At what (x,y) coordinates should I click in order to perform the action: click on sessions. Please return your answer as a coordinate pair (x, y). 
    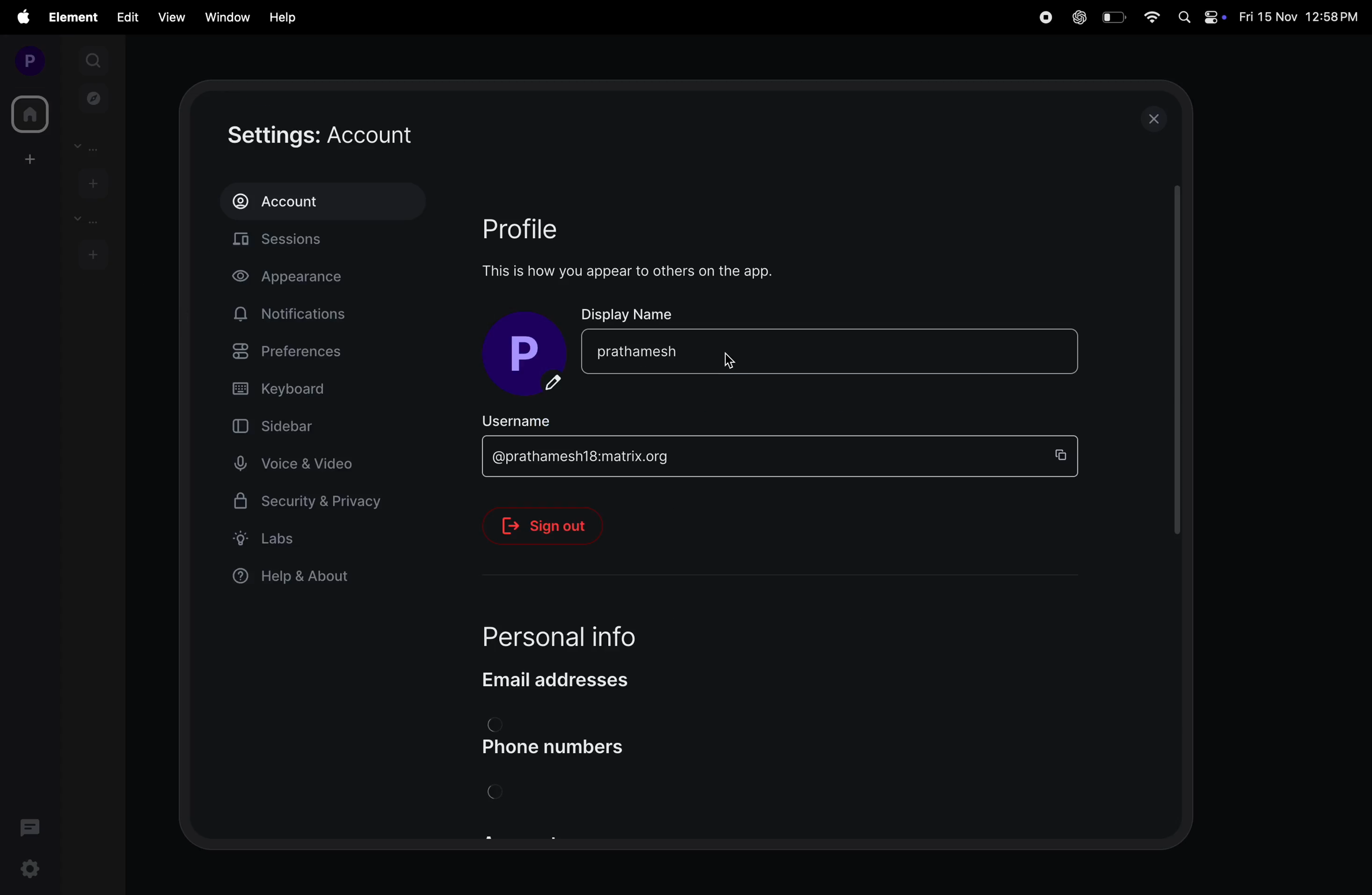
    Looking at the image, I should click on (329, 242).